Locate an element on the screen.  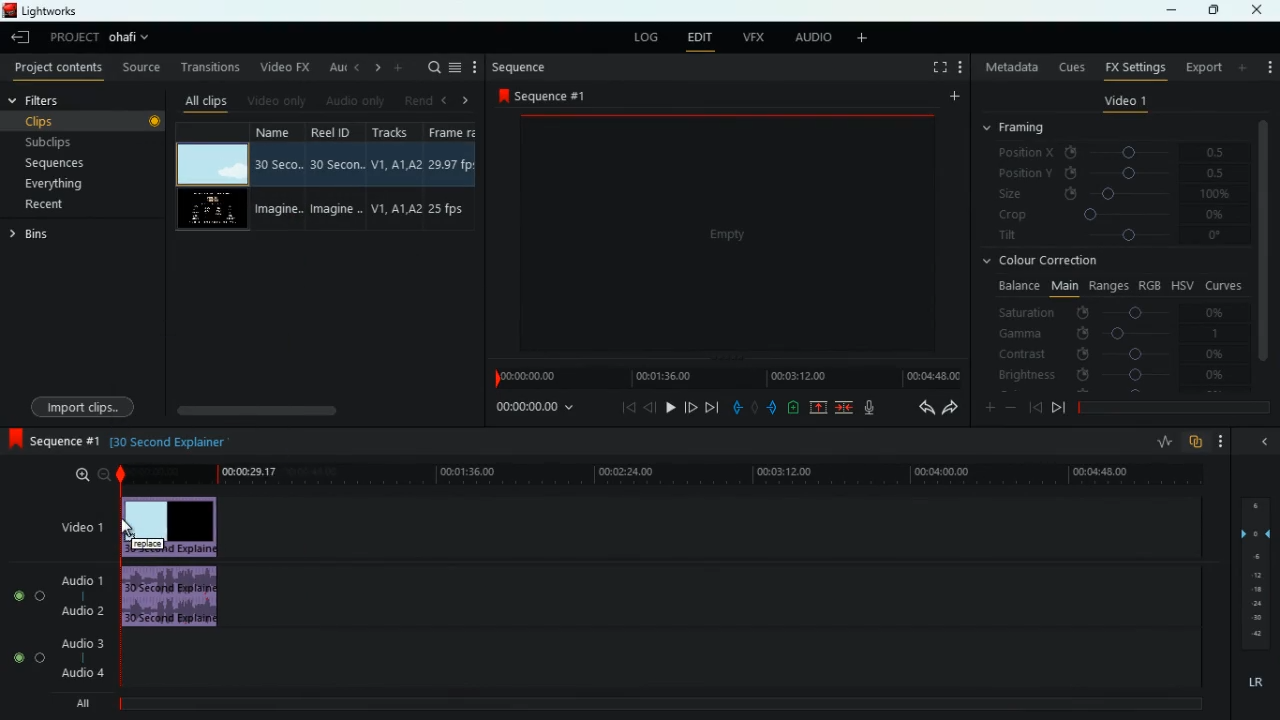
balance is located at coordinates (1014, 287).